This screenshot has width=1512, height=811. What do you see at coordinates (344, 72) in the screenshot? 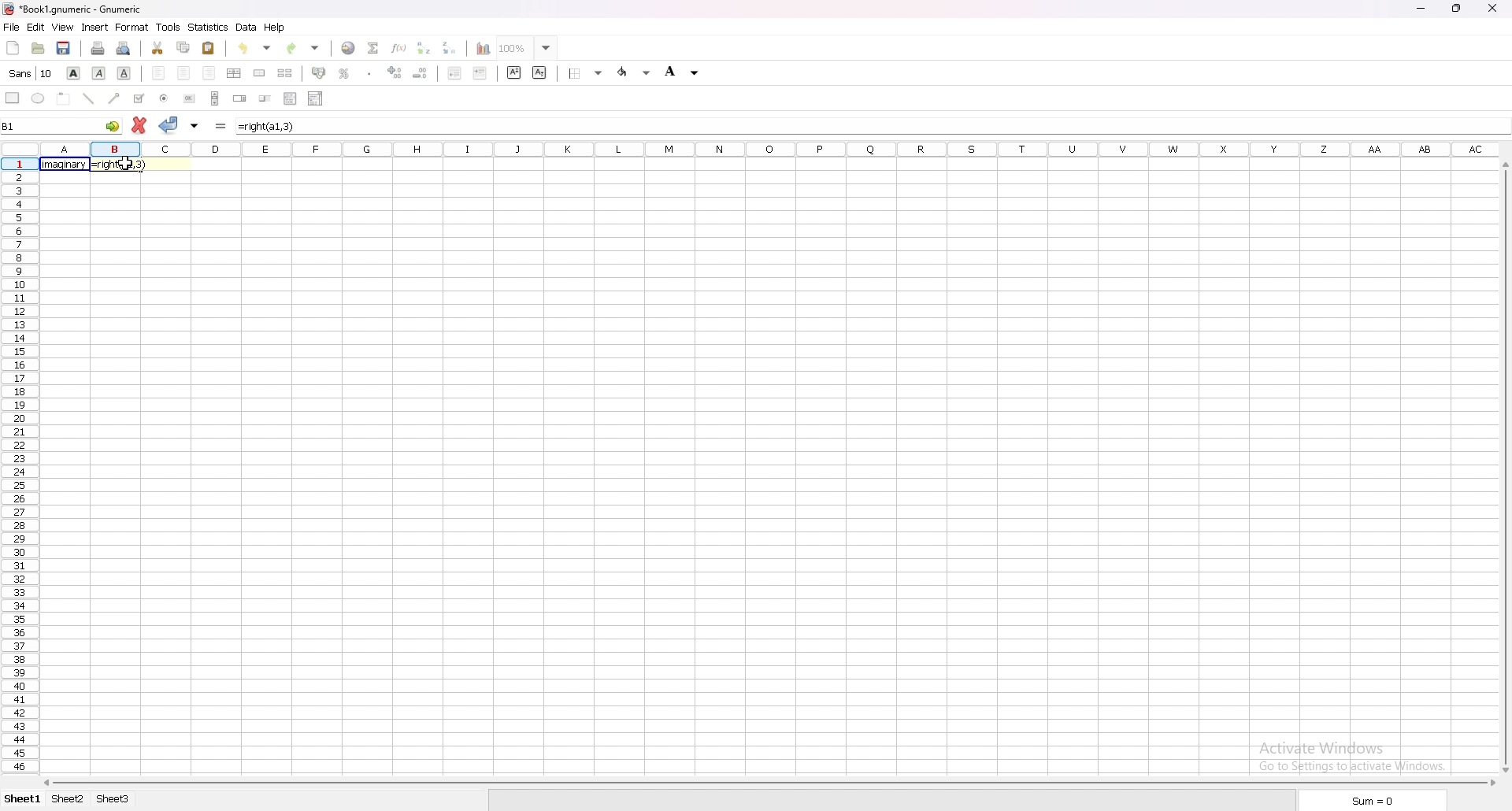
I see `percentage` at bounding box center [344, 72].